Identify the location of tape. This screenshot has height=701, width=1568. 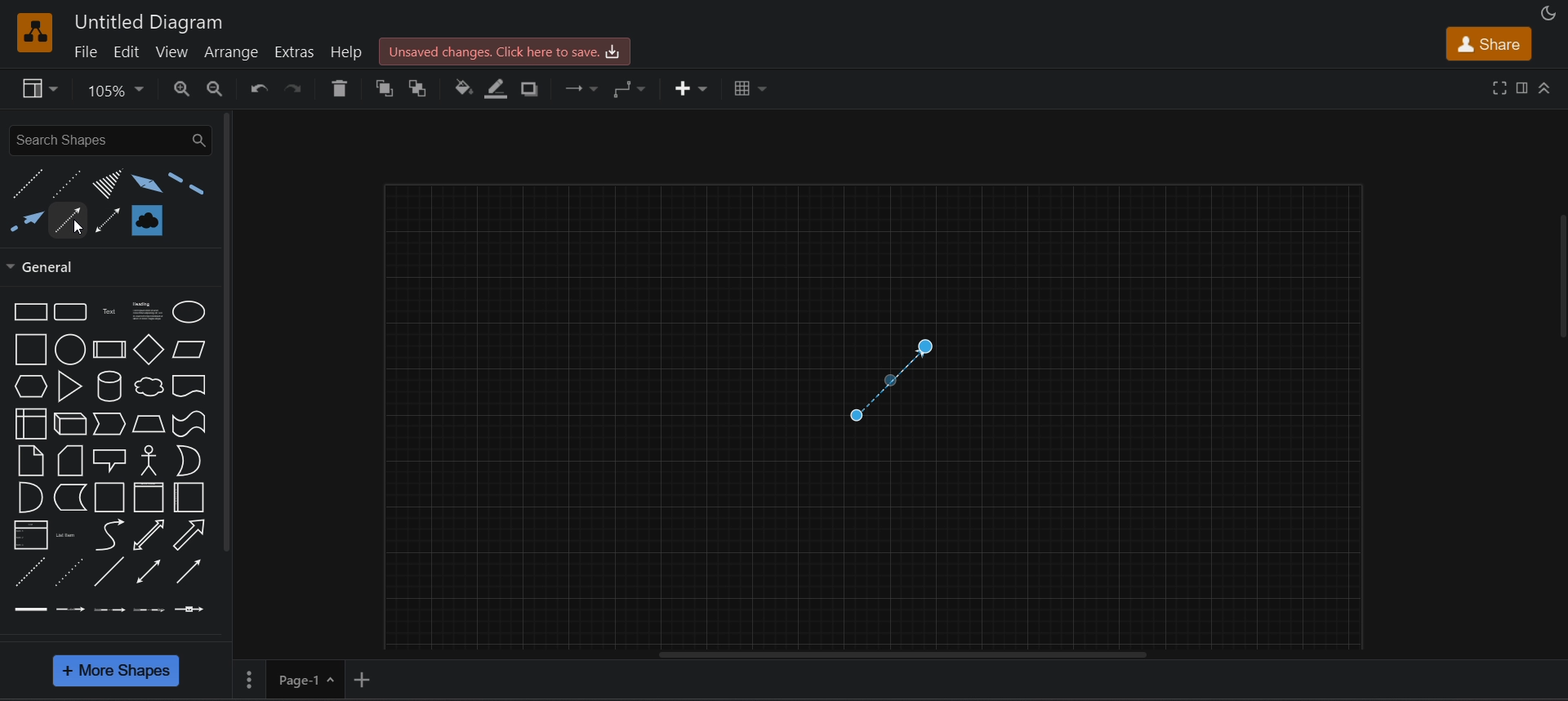
(192, 424).